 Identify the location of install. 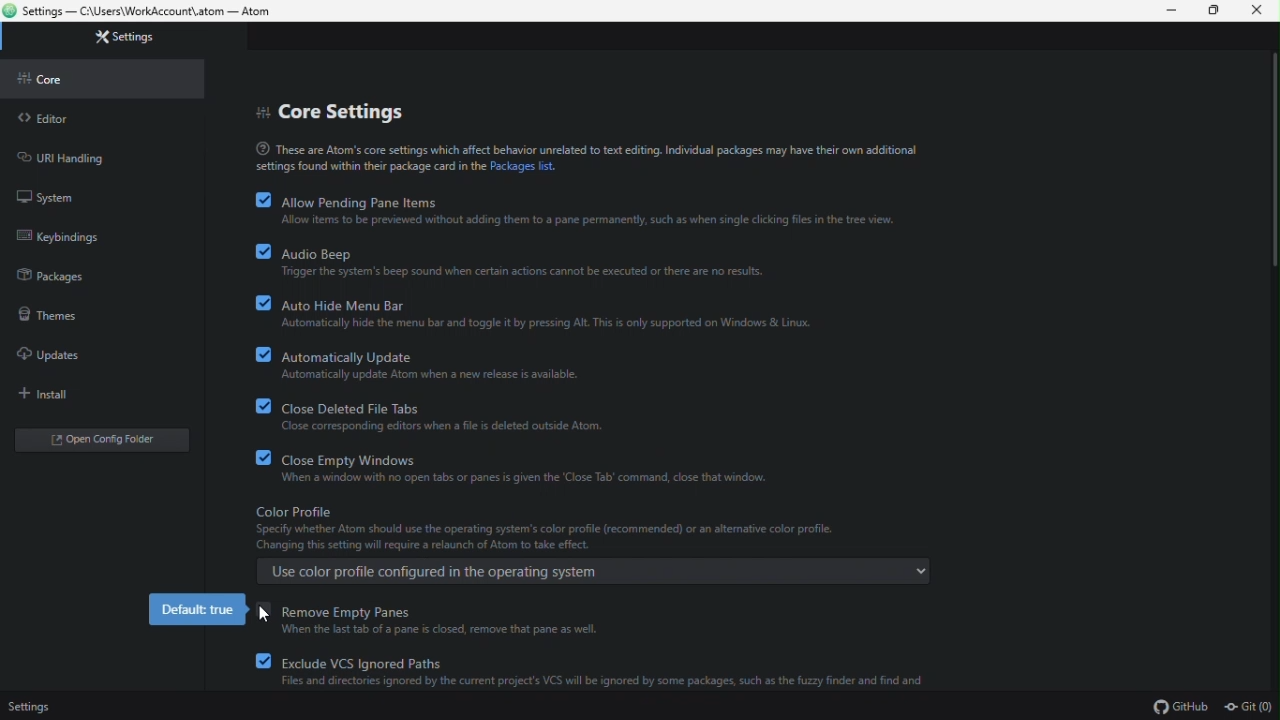
(38, 393).